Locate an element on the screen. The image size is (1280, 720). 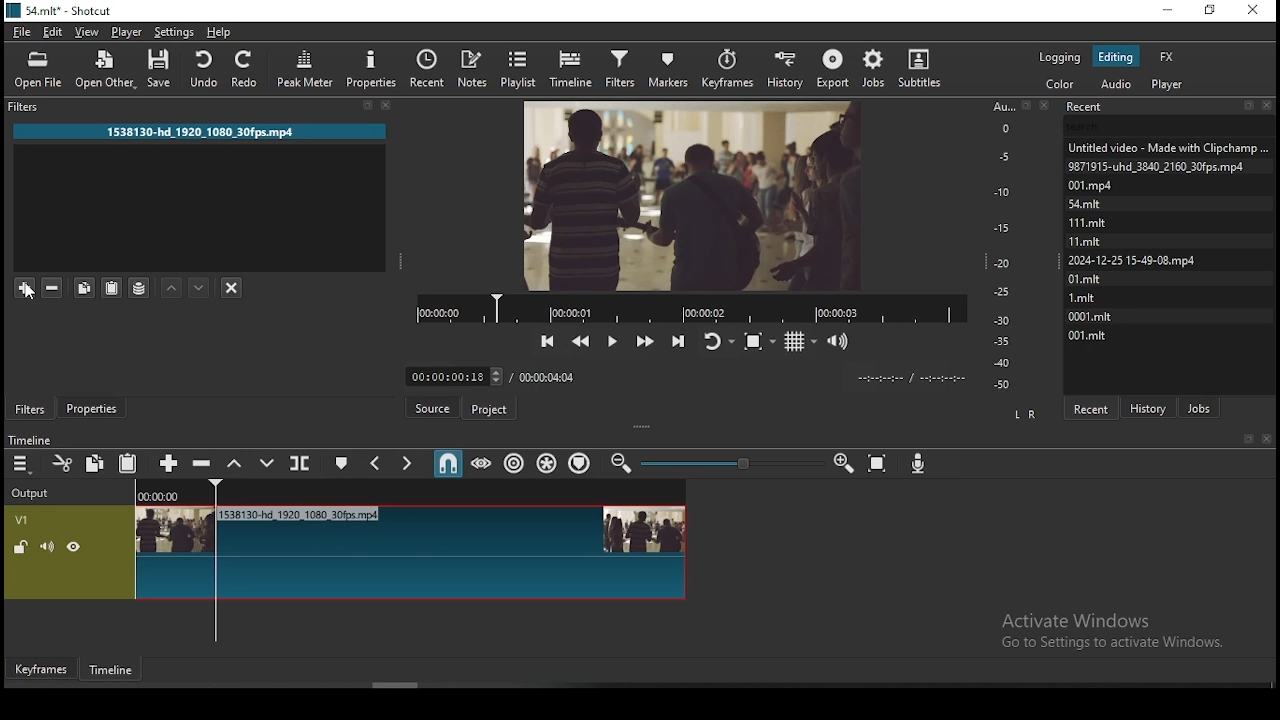
skip to the previous point is located at coordinates (543, 340).